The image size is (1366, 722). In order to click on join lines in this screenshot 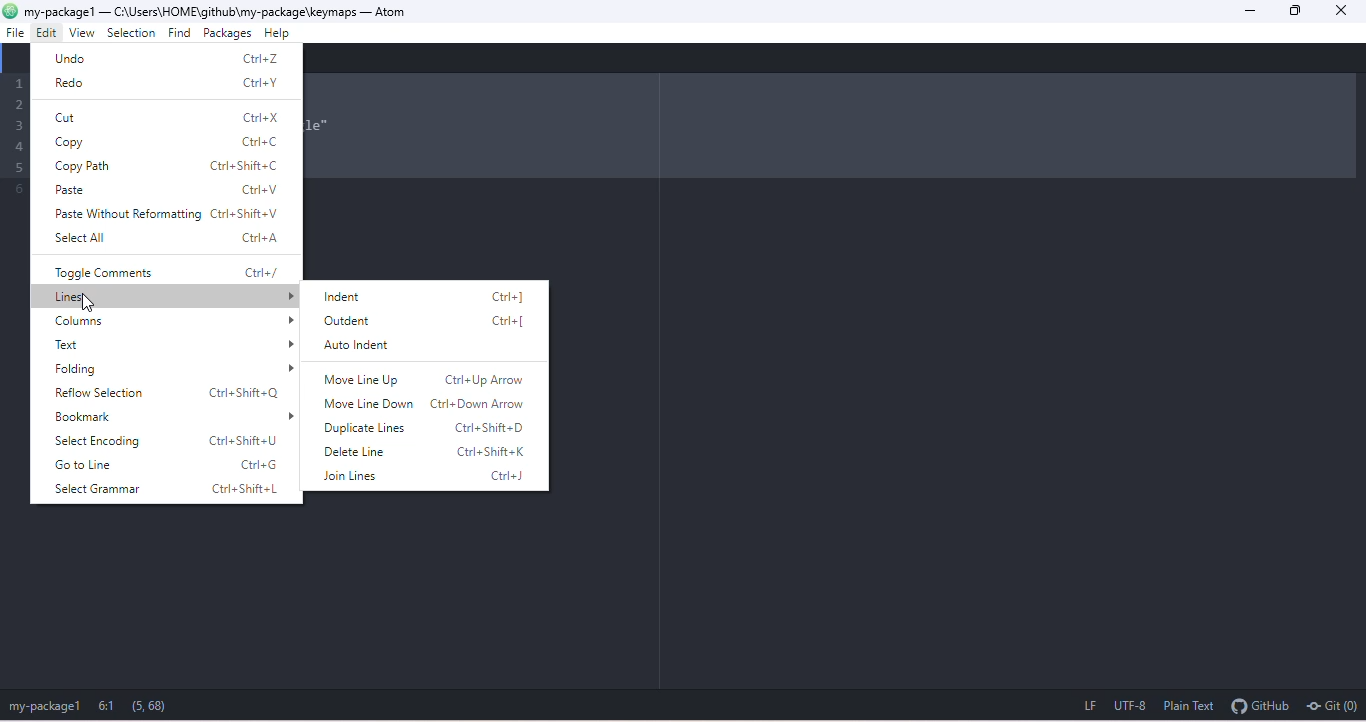, I will do `click(427, 475)`.